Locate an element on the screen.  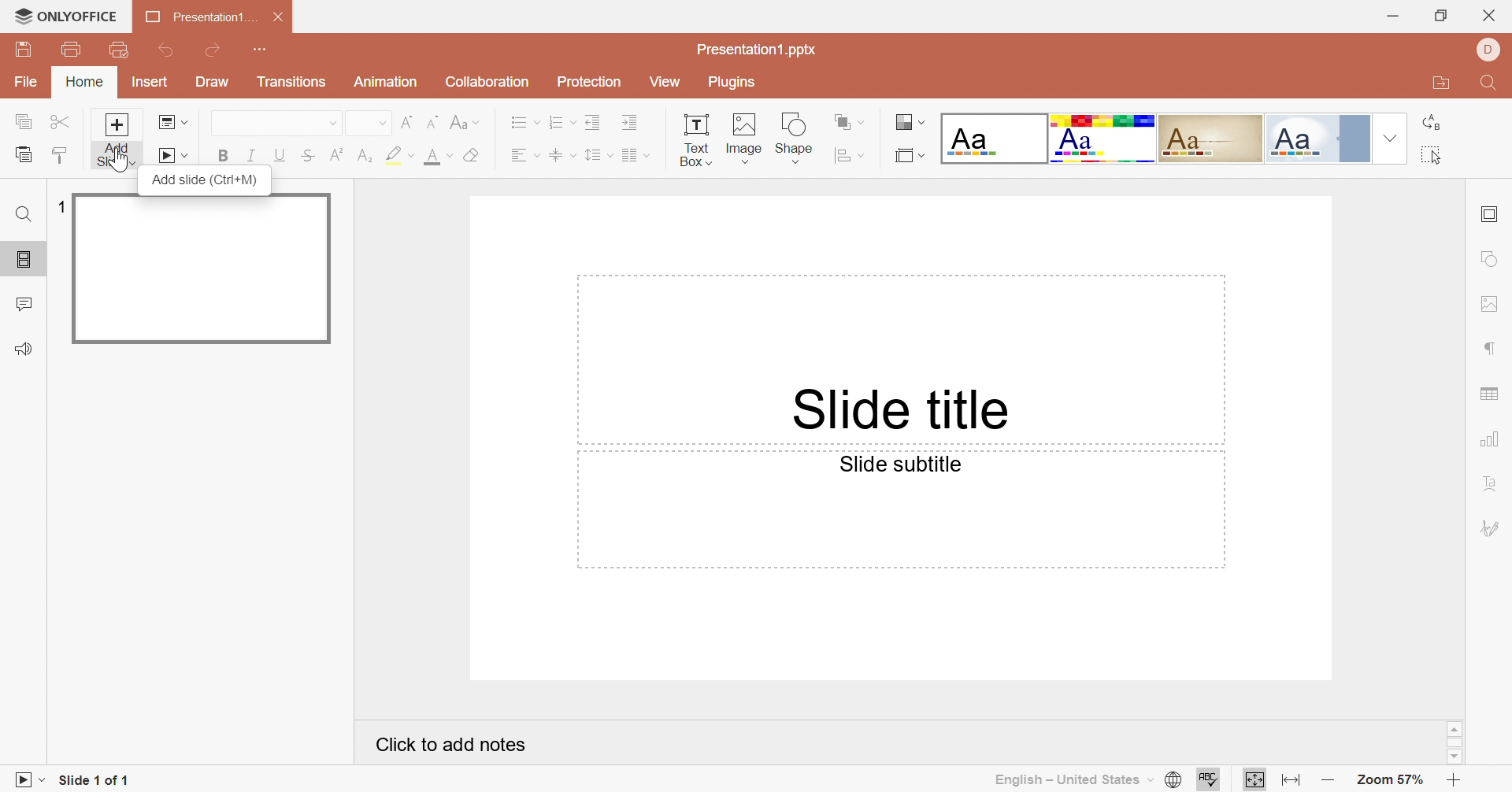
View is located at coordinates (665, 81).